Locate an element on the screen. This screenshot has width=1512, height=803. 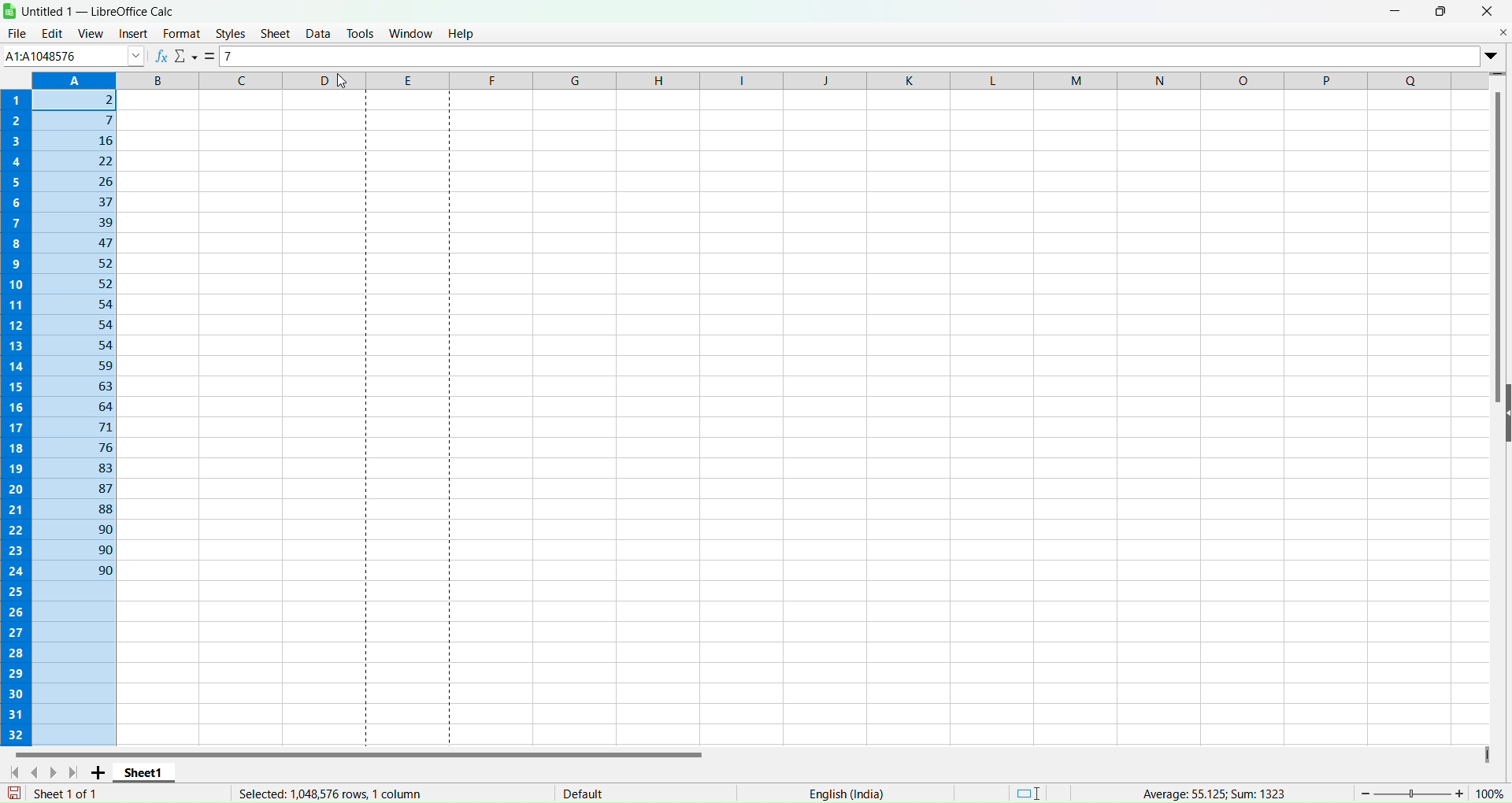
Tools is located at coordinates (361, 33).